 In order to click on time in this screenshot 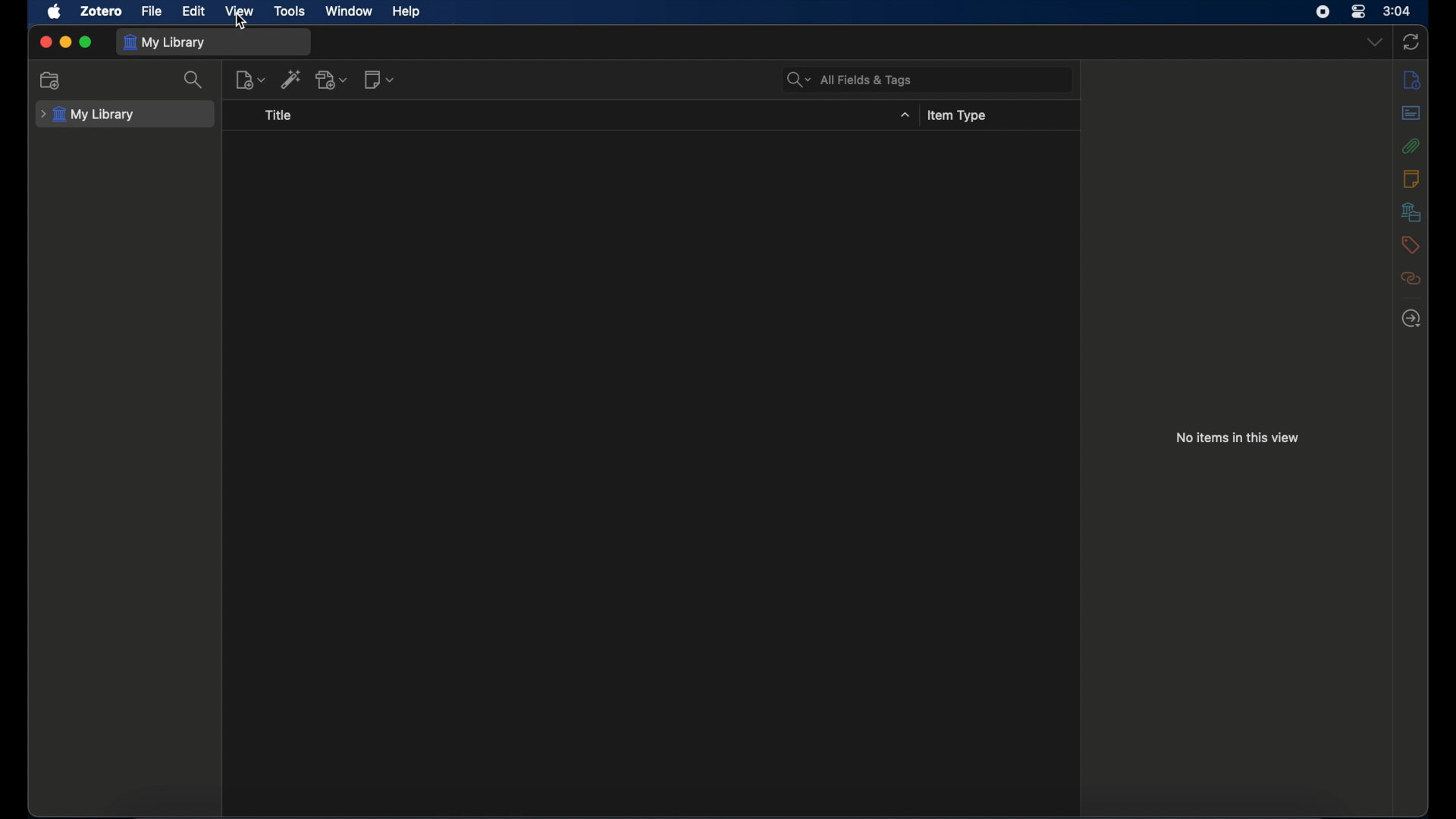, I will do `click(1397, 10)`.